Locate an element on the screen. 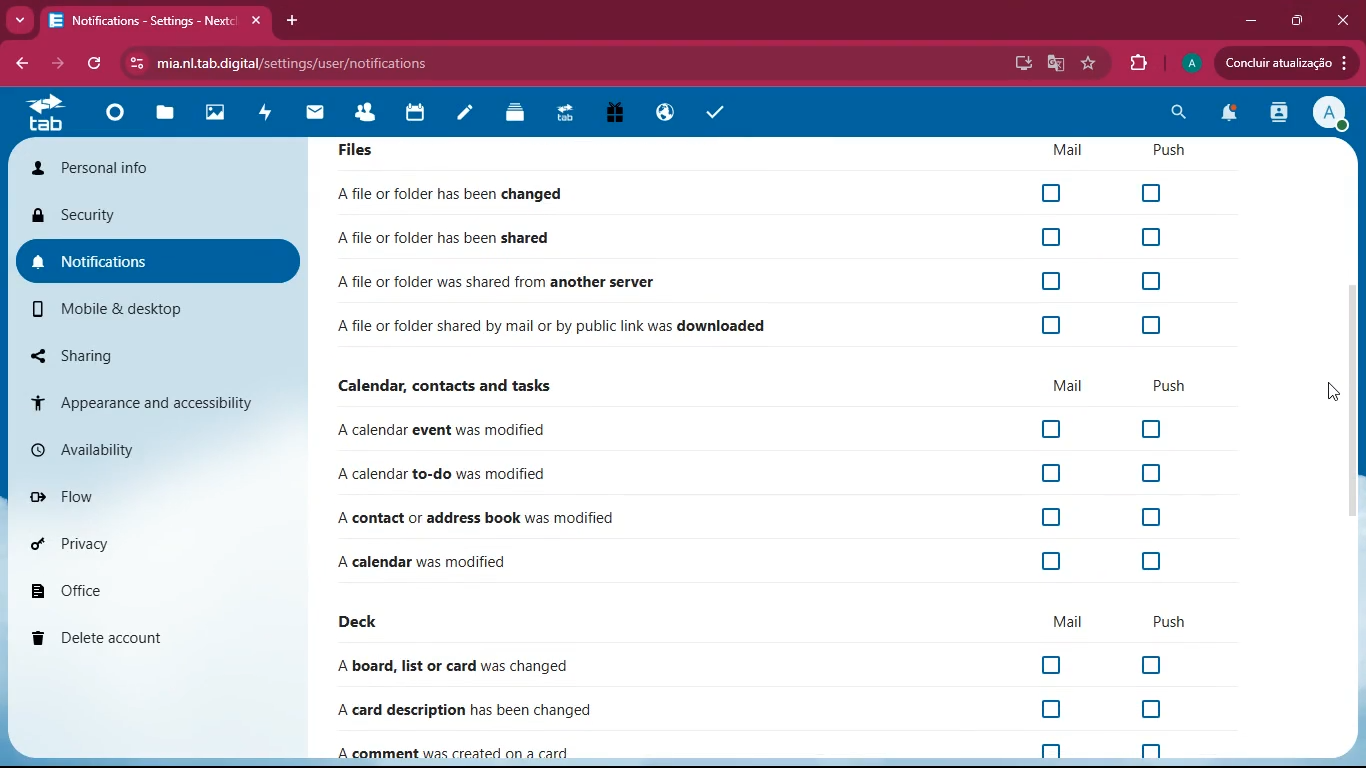 The height and width of the screenshot is (768, 1366). more is located at coordinates (20, 19).